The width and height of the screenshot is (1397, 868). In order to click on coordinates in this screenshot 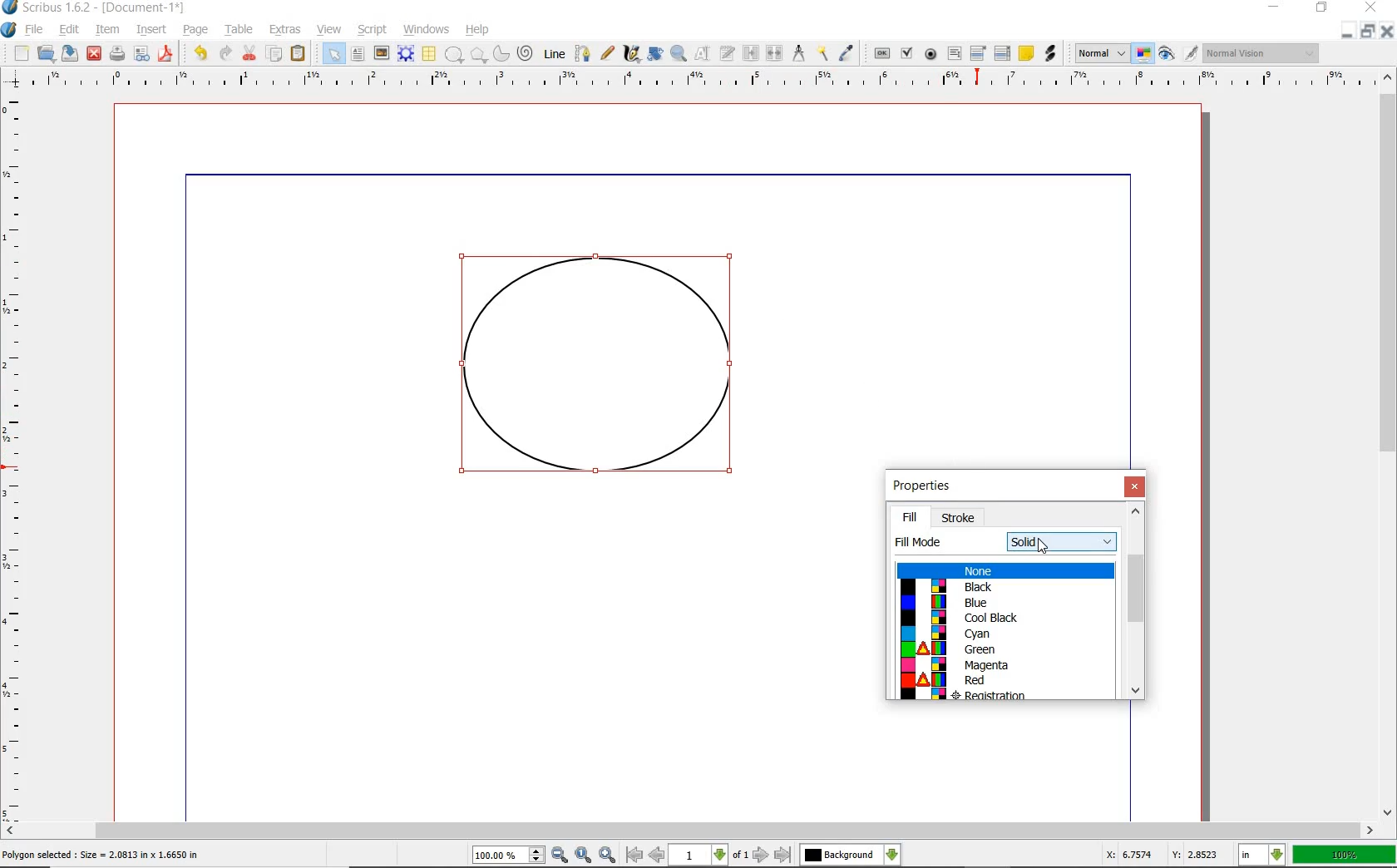, I will do `click(1160, 855)`.